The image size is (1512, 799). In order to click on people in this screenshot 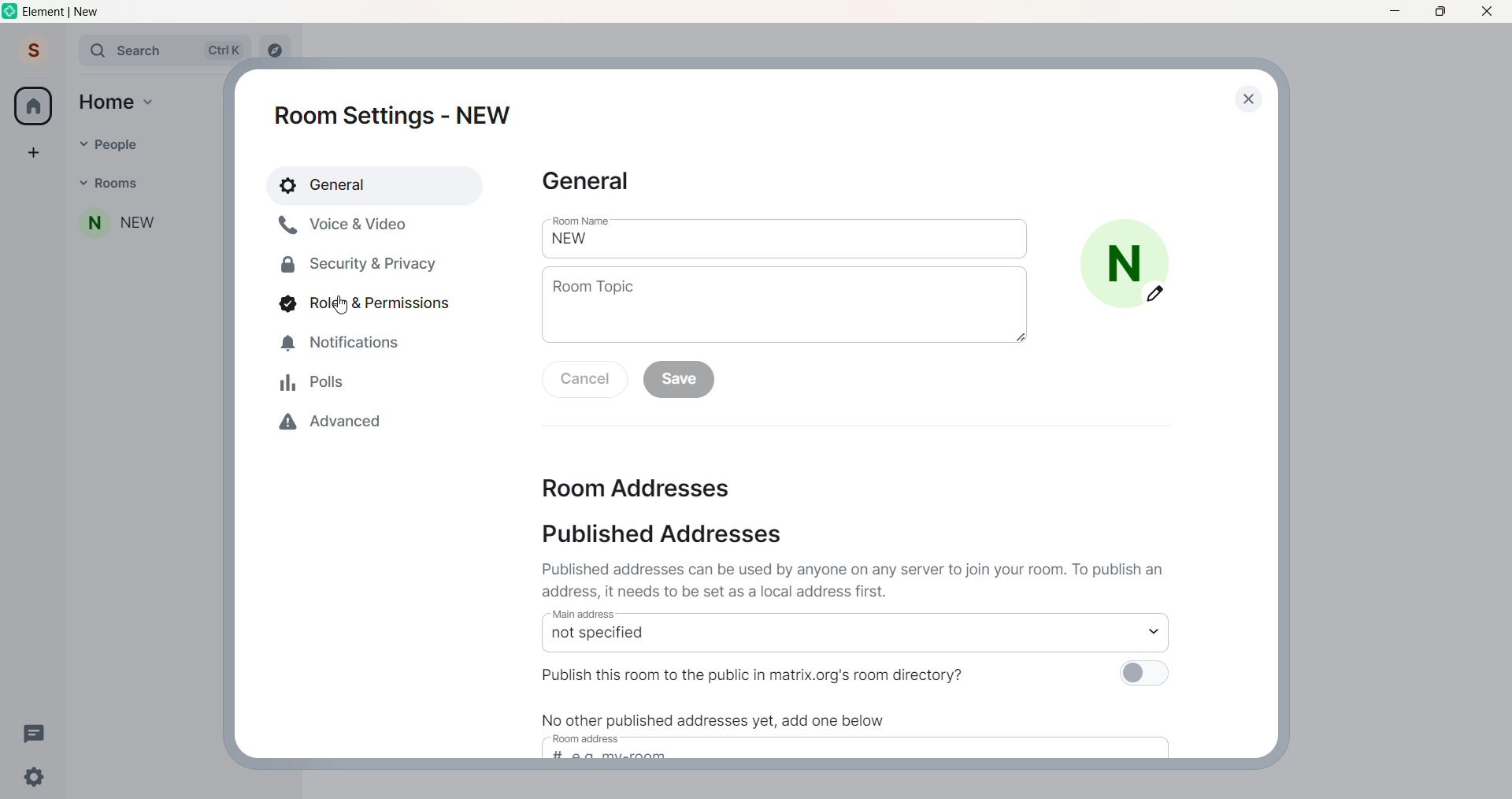, I will do `click(106, 144)`.